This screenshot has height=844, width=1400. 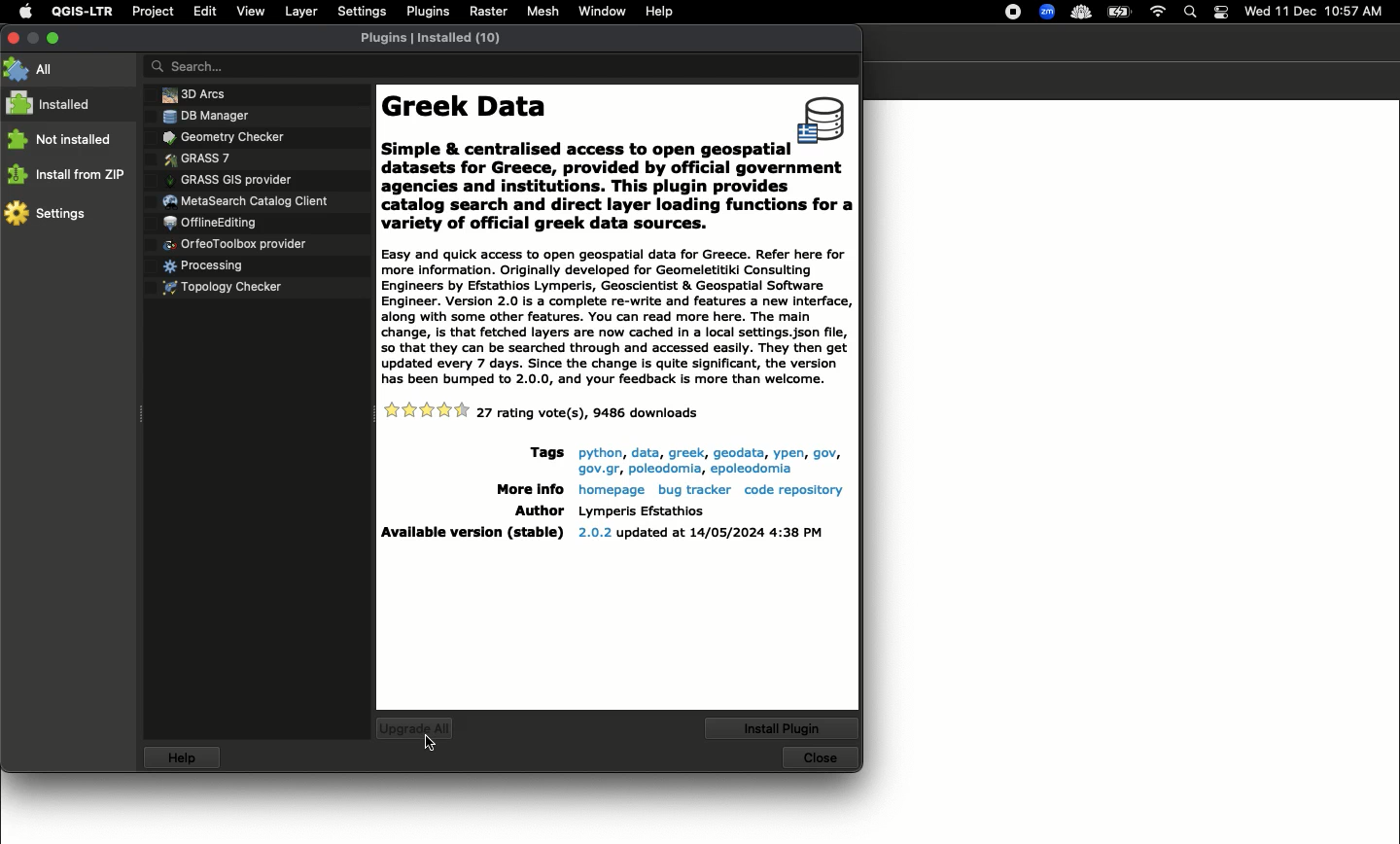 I want to click on code repository, so click(x=791, y=490).